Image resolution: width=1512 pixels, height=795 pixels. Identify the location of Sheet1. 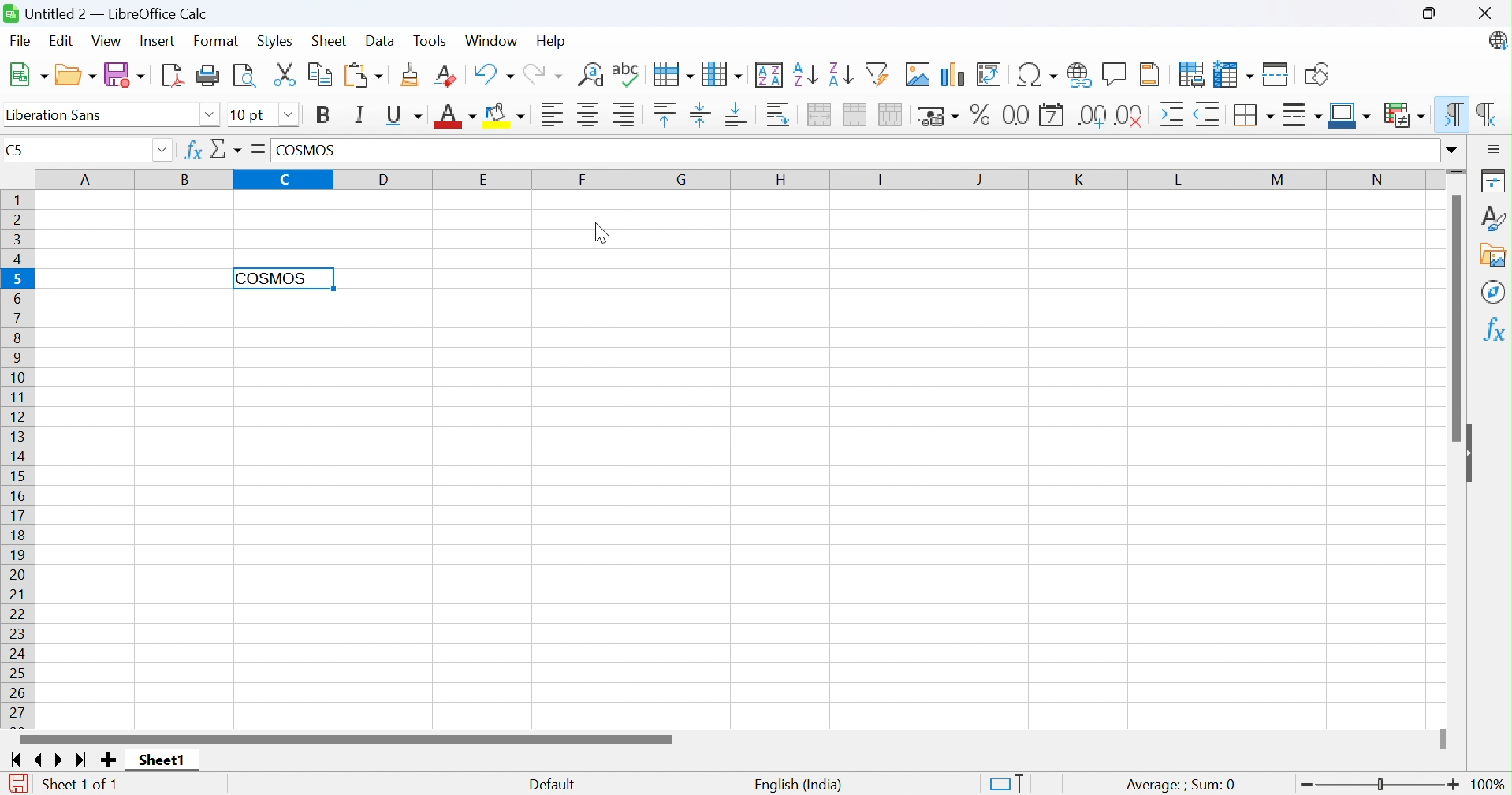
(162, 762).